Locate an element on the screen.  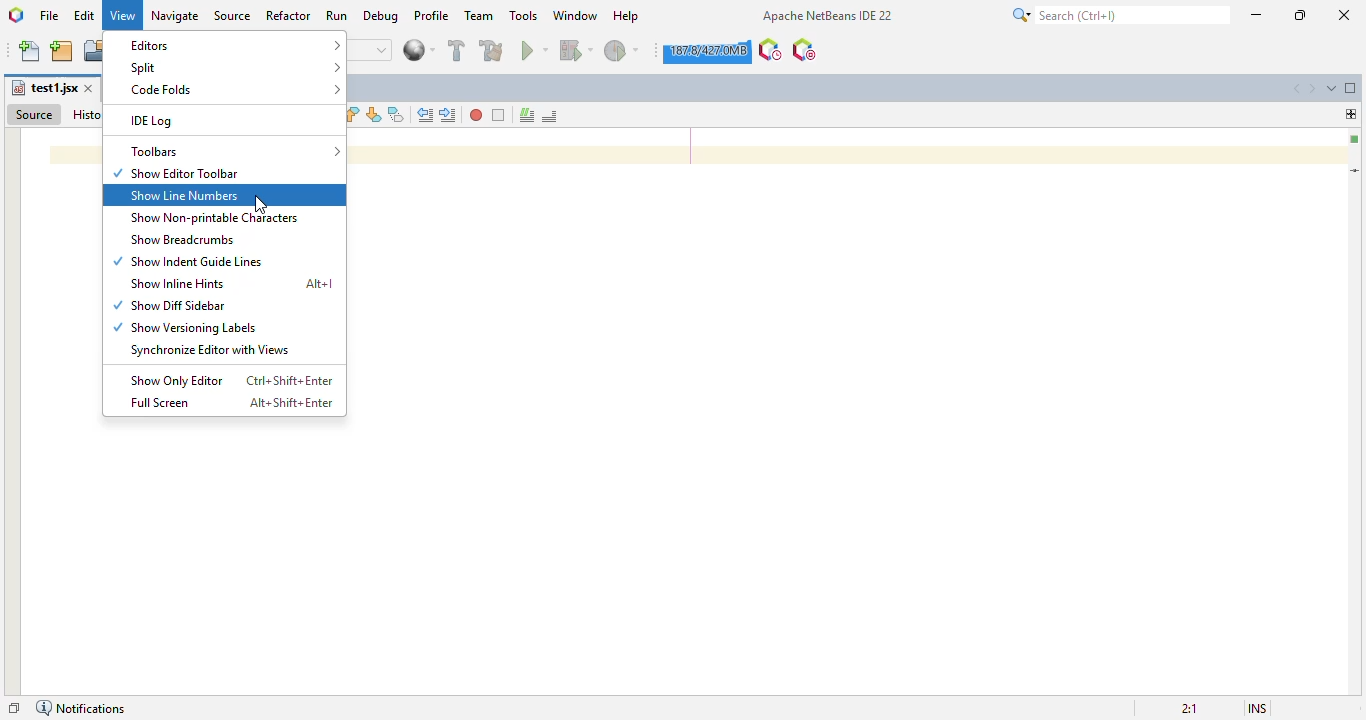
source is located at coordinates (35, 115).